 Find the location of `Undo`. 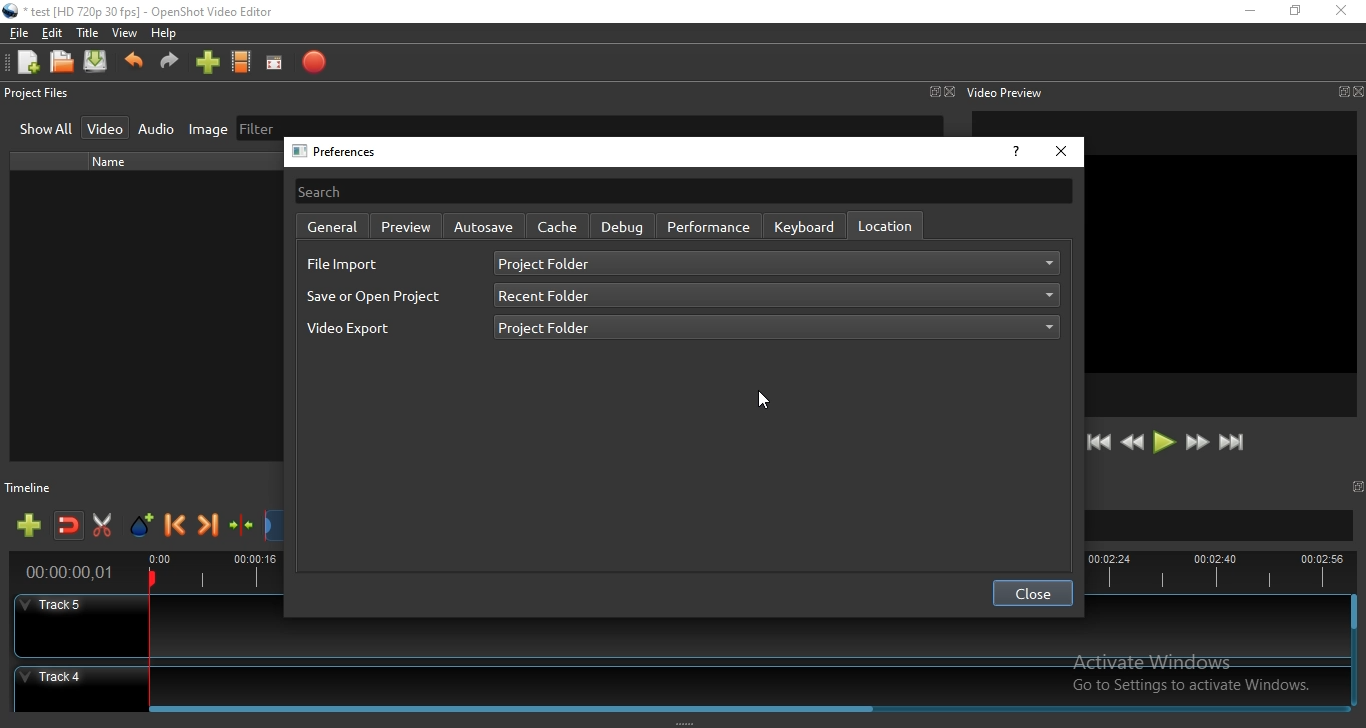

Undo is located at coordinates (134, 66).